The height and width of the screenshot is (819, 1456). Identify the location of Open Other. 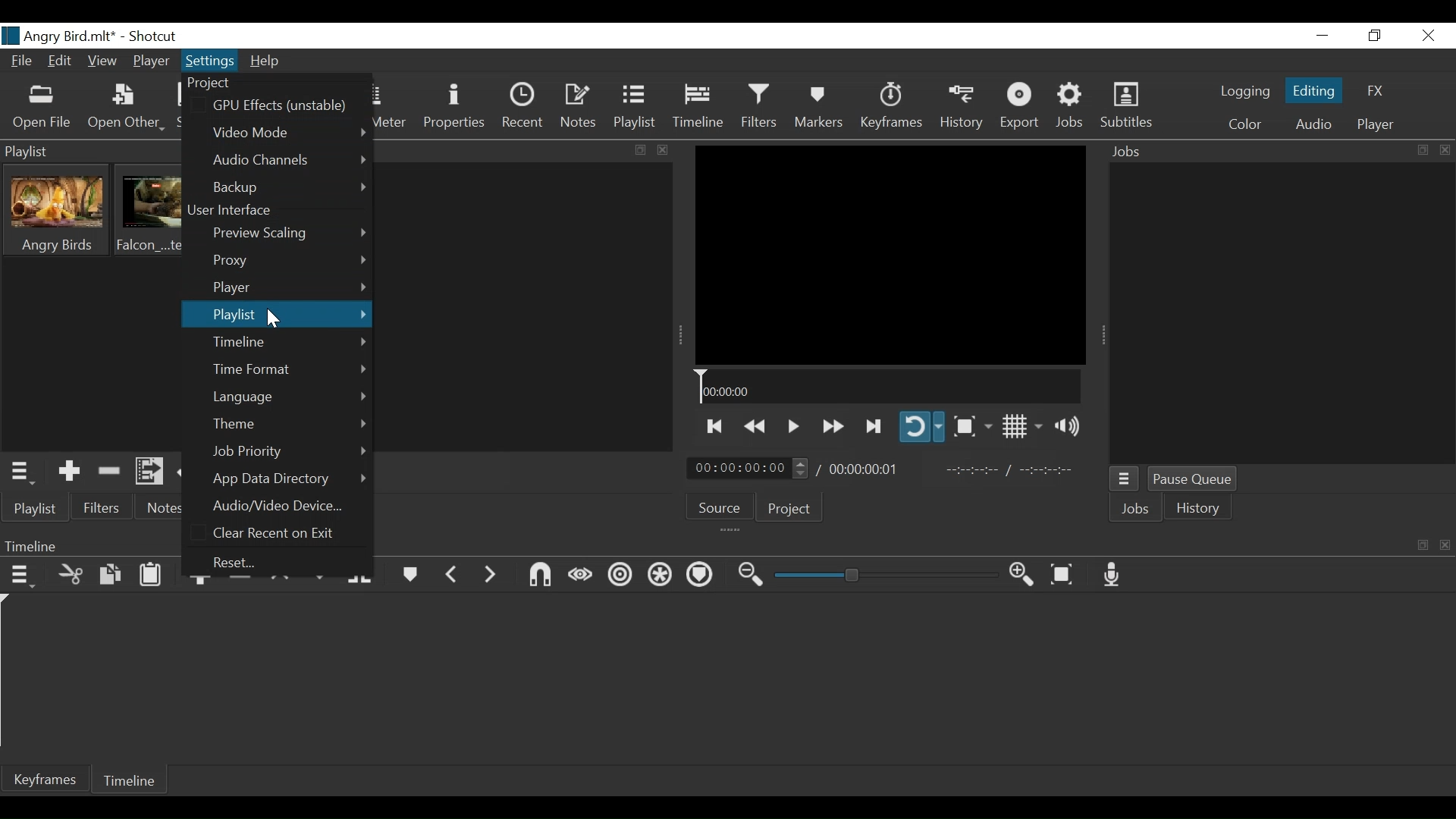
(128, 108).